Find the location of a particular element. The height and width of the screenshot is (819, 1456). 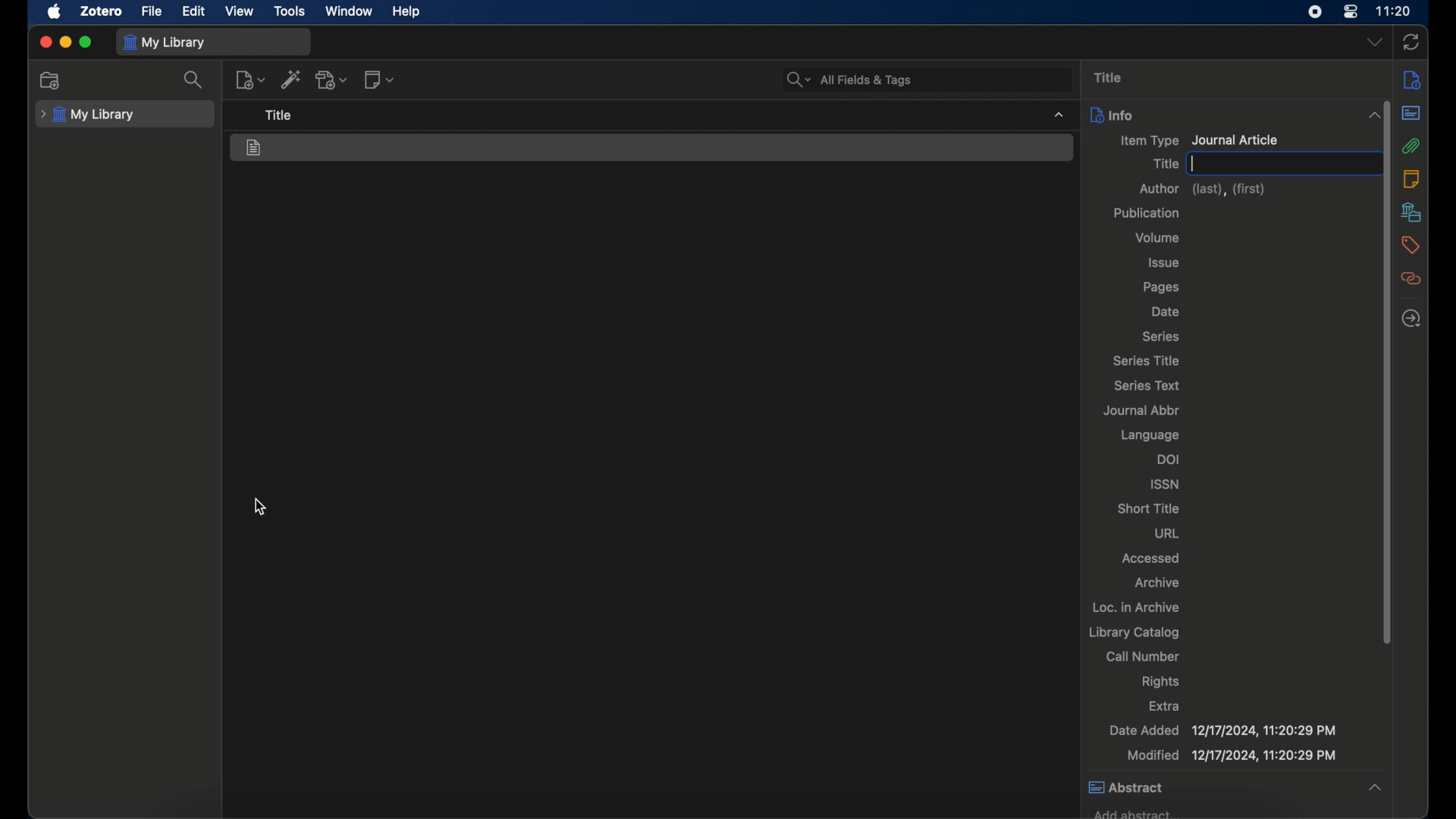

short title is located at coordinates (1148, 508).